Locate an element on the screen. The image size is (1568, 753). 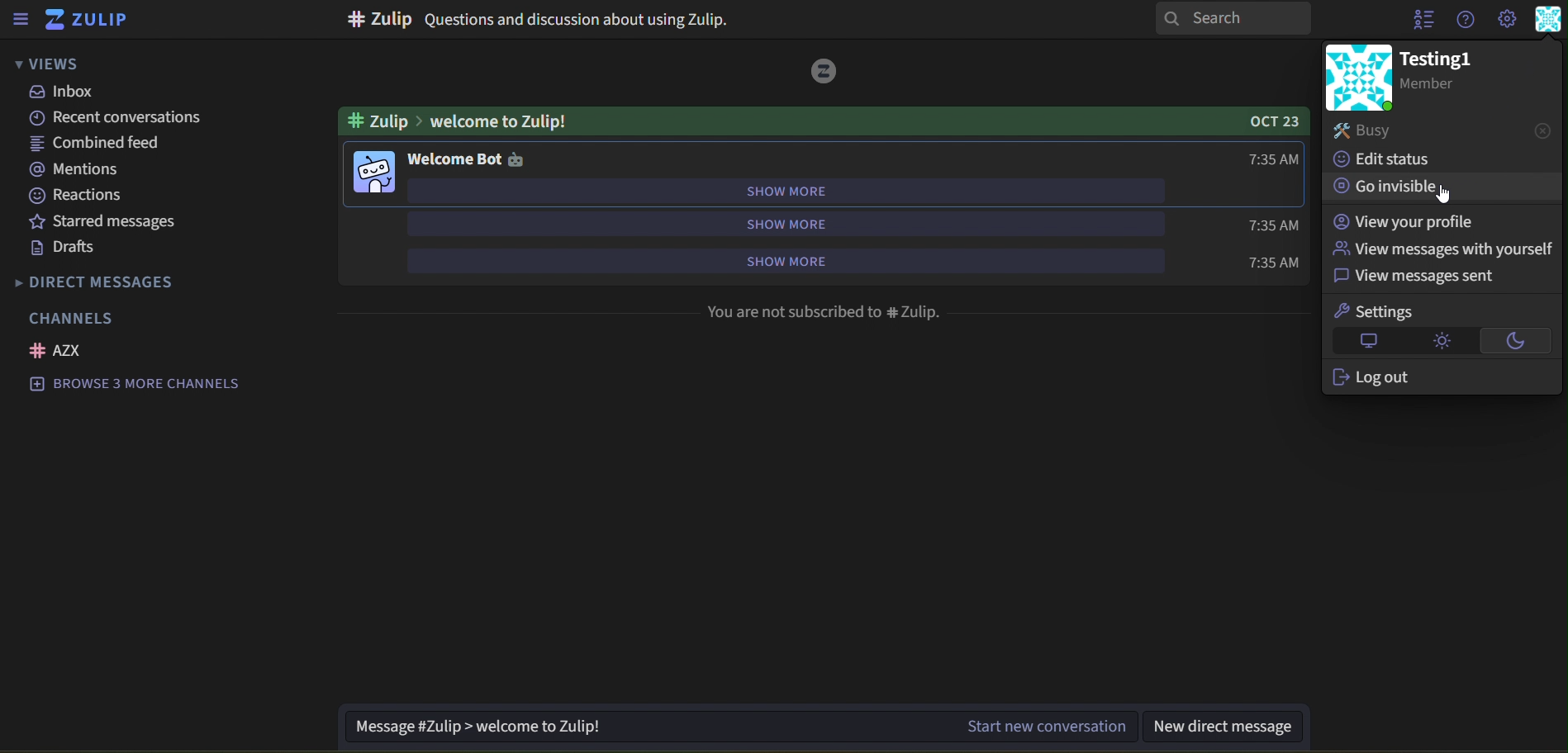
image is located at coordinates (1359, 77).